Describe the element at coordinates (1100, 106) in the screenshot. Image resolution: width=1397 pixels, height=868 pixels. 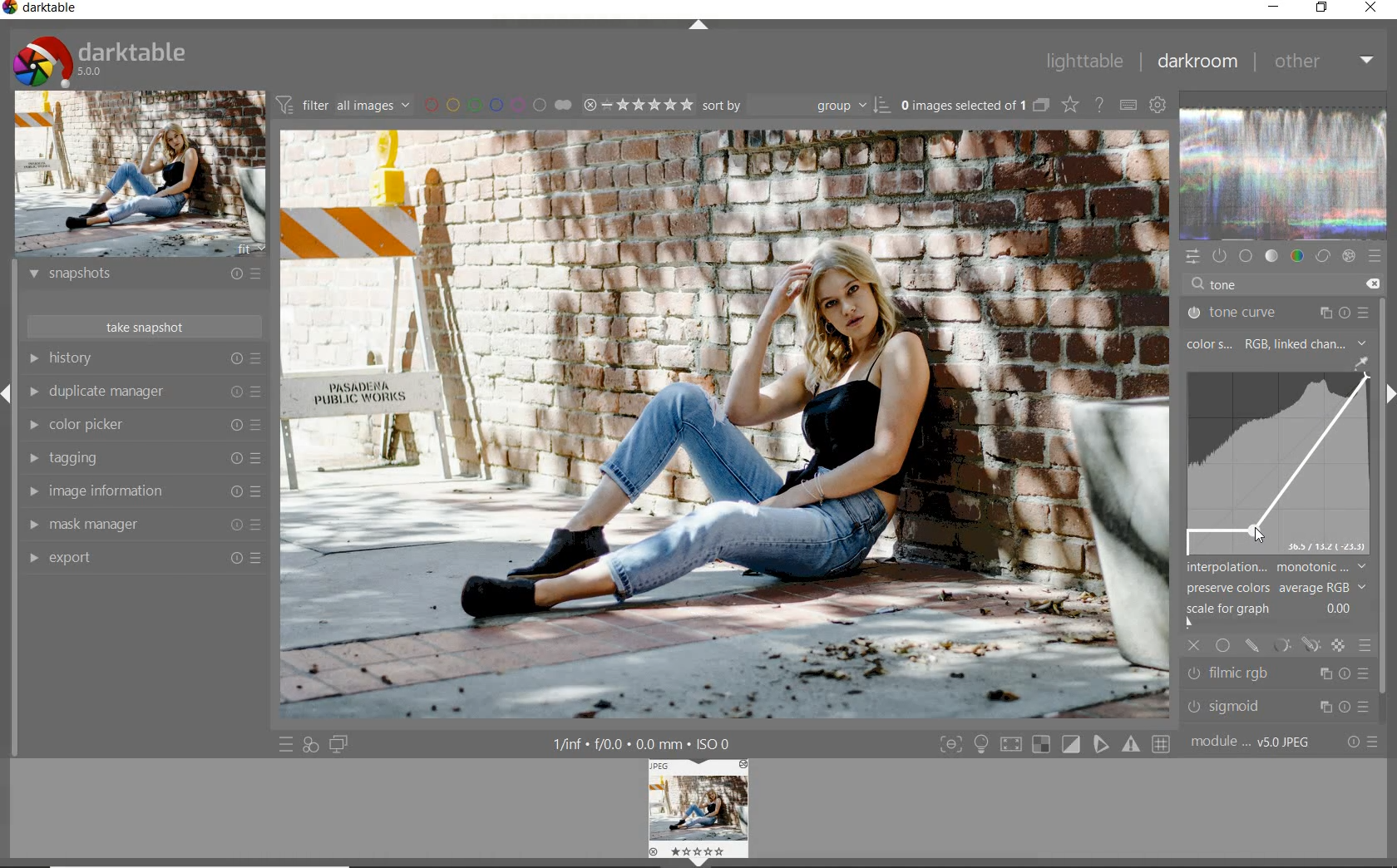
I see `enable online help` at that location.